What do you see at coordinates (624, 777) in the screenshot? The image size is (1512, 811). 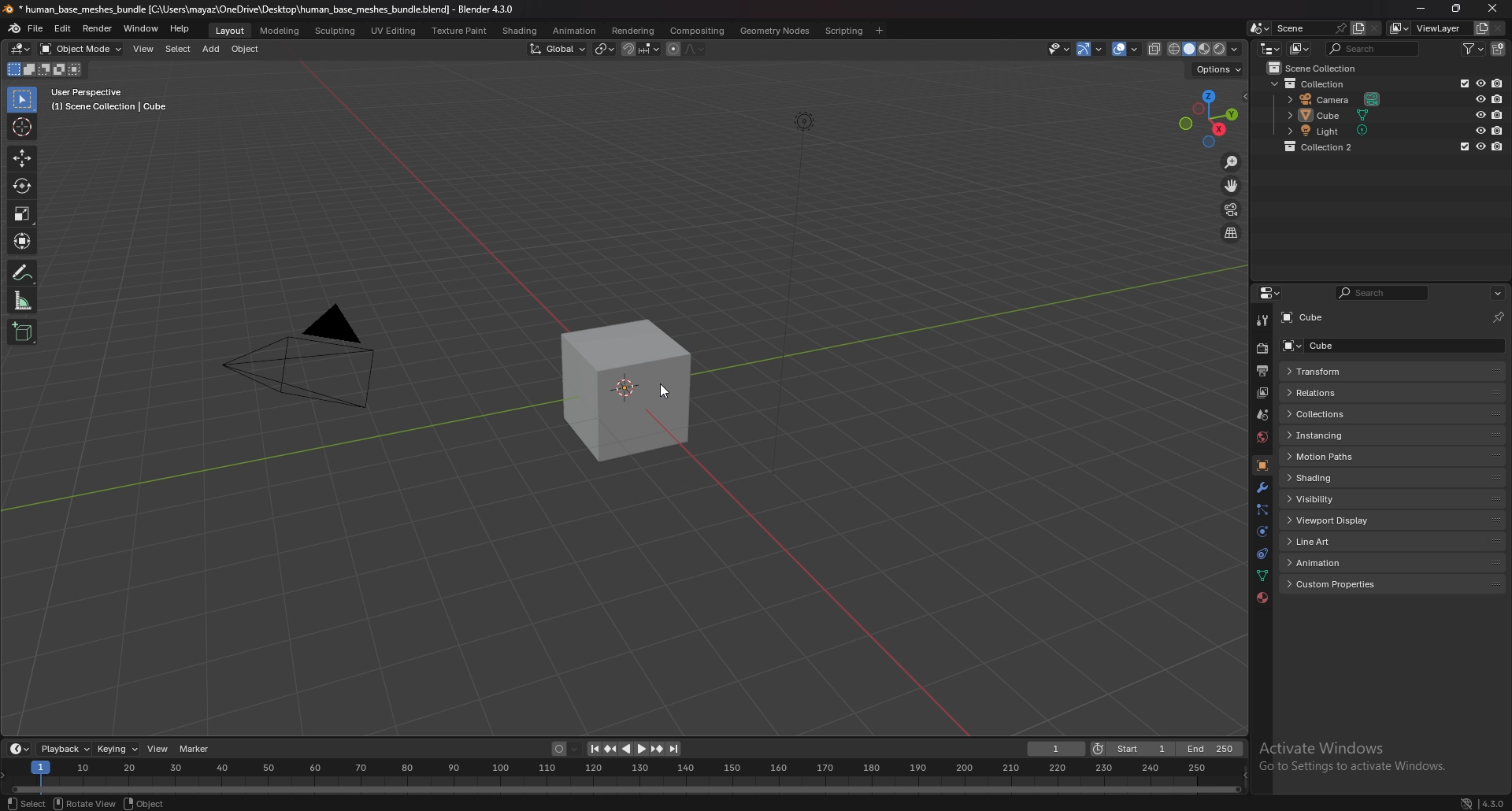 I see `seek` at bounding box center [624, 777].